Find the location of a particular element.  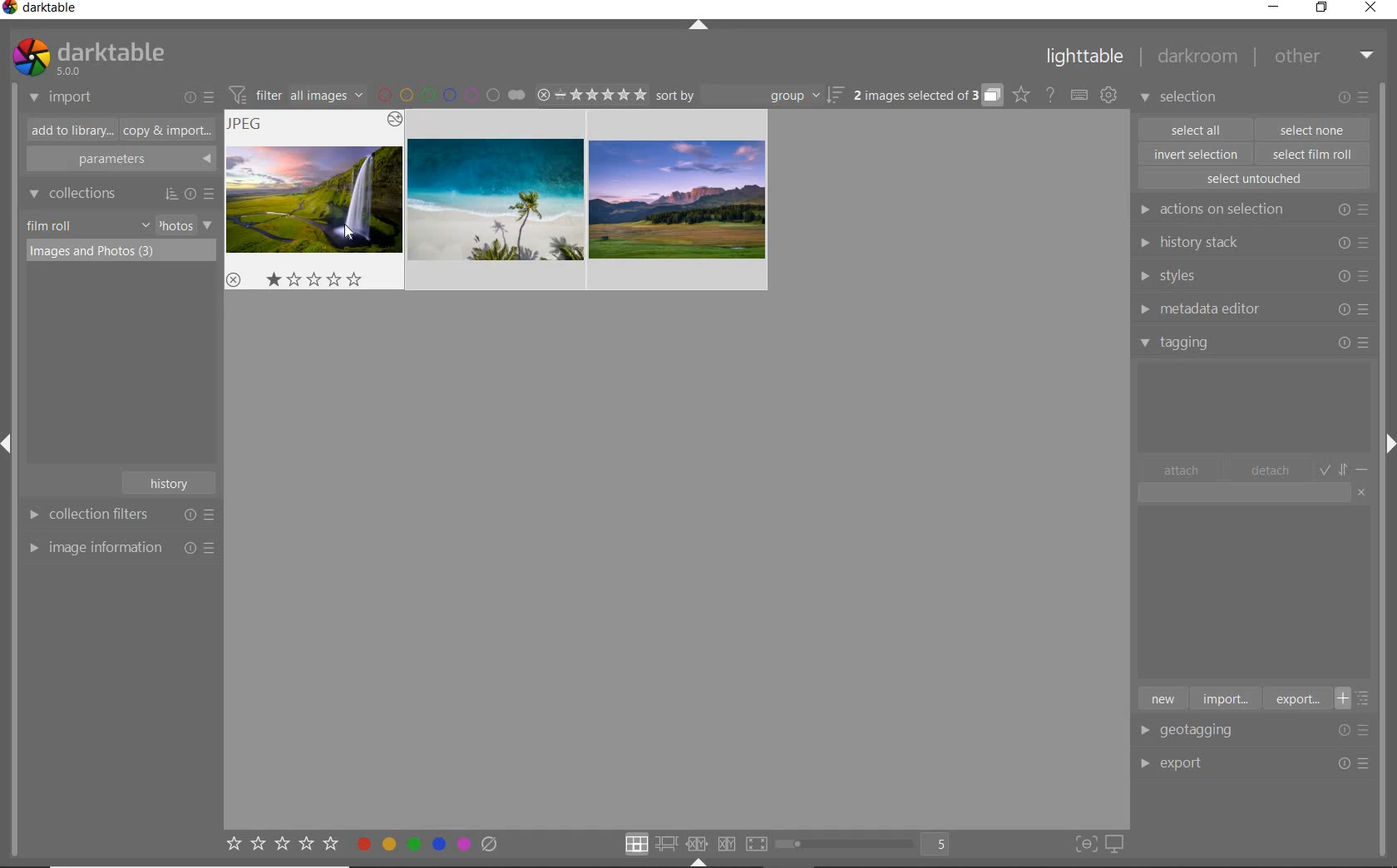

images is located at coordinates (496, 200).